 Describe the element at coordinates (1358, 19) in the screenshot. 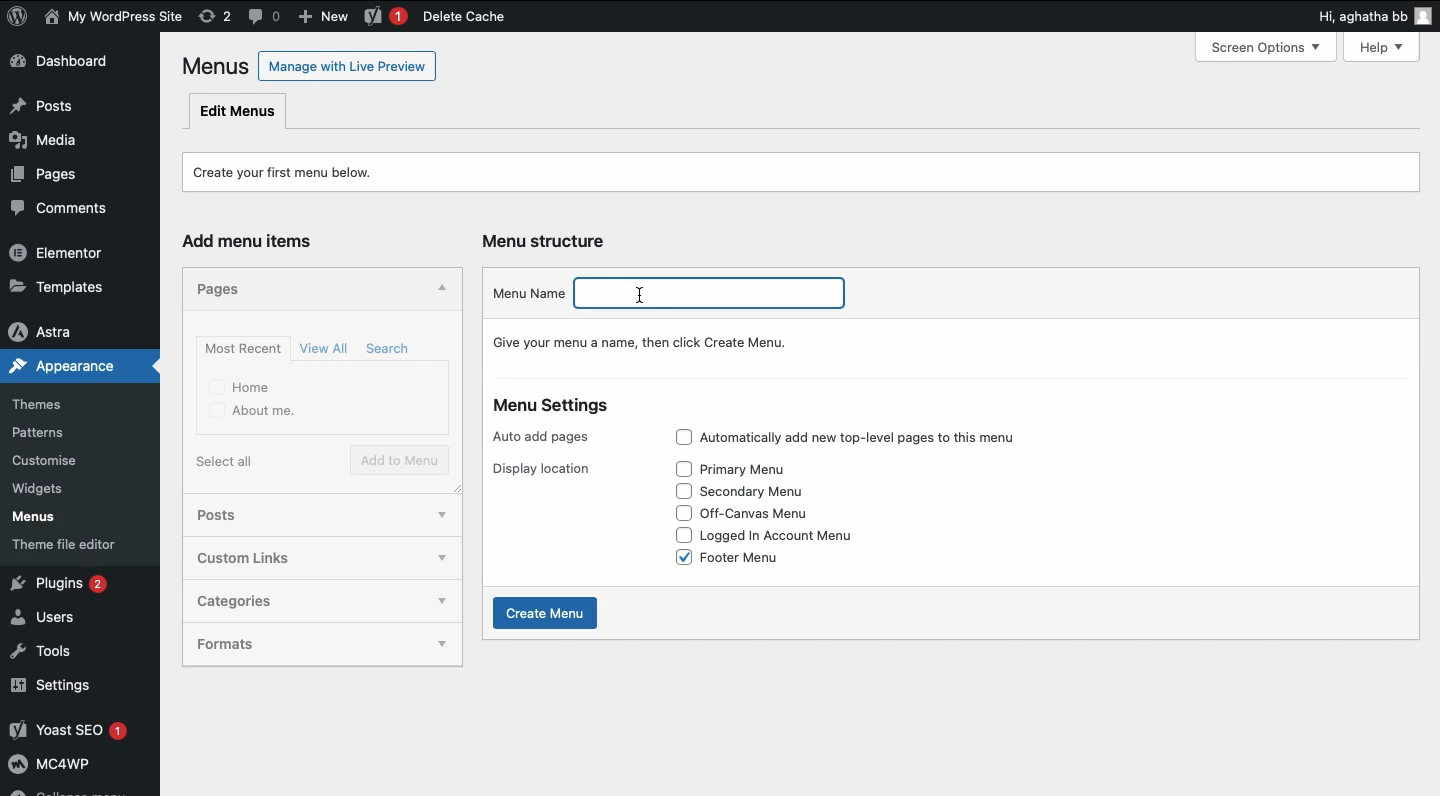

I see `Hi, agatha bb` at that location.